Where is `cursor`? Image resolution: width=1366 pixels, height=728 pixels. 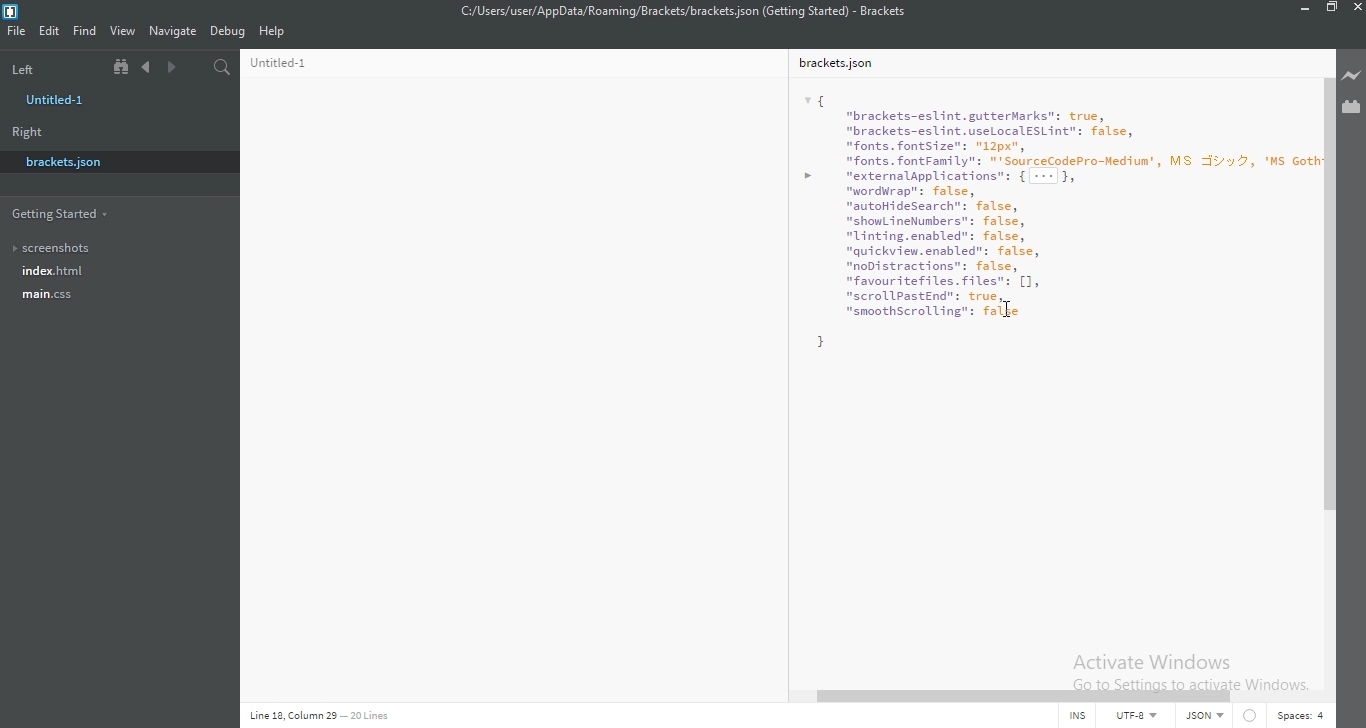
cursor is located at coordinates (1009, 311).